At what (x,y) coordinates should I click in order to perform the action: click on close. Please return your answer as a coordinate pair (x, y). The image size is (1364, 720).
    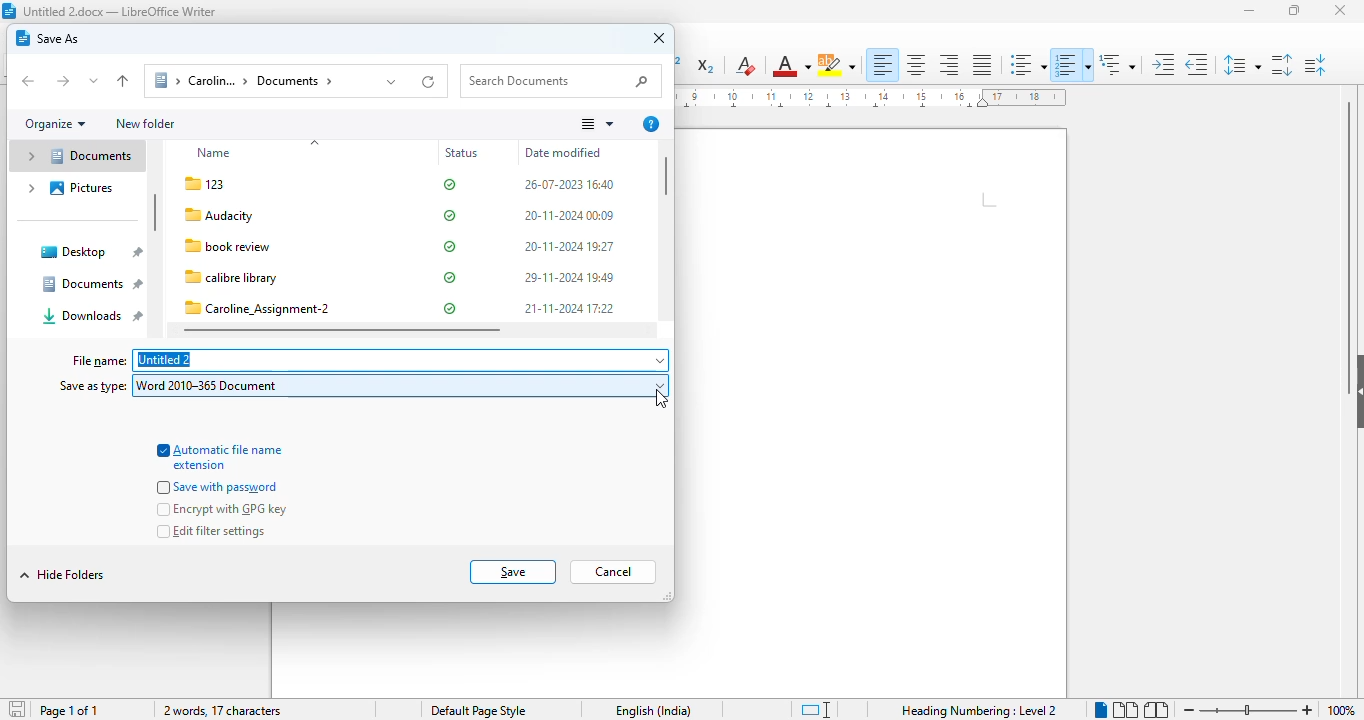
    Looking at the image, I should click on (660, 39).